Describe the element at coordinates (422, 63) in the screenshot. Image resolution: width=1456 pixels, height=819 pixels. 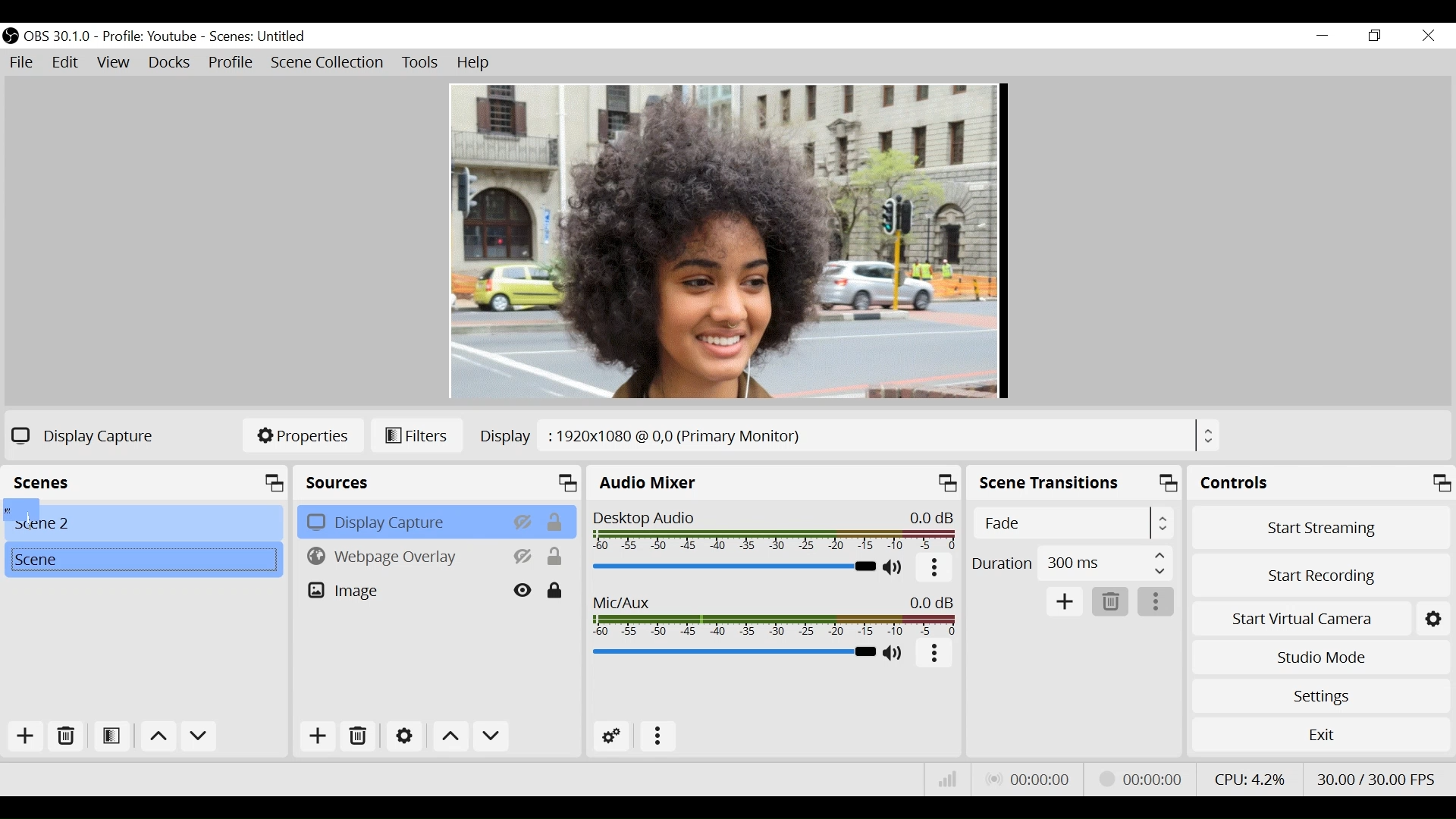
I see `Tools` at that location.